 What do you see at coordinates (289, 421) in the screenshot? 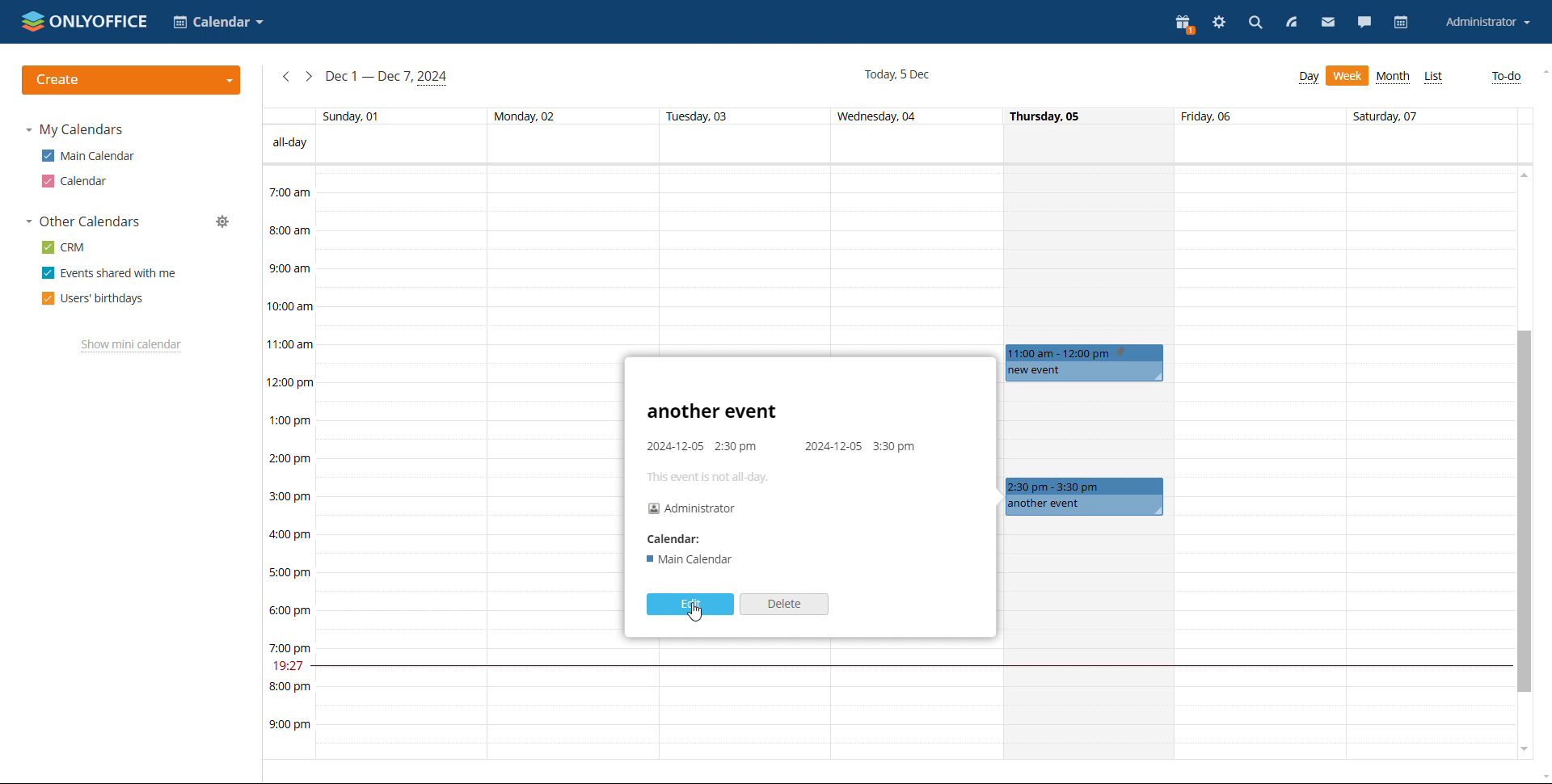
I see `1:00 pm` at bounding box center [289, 421].